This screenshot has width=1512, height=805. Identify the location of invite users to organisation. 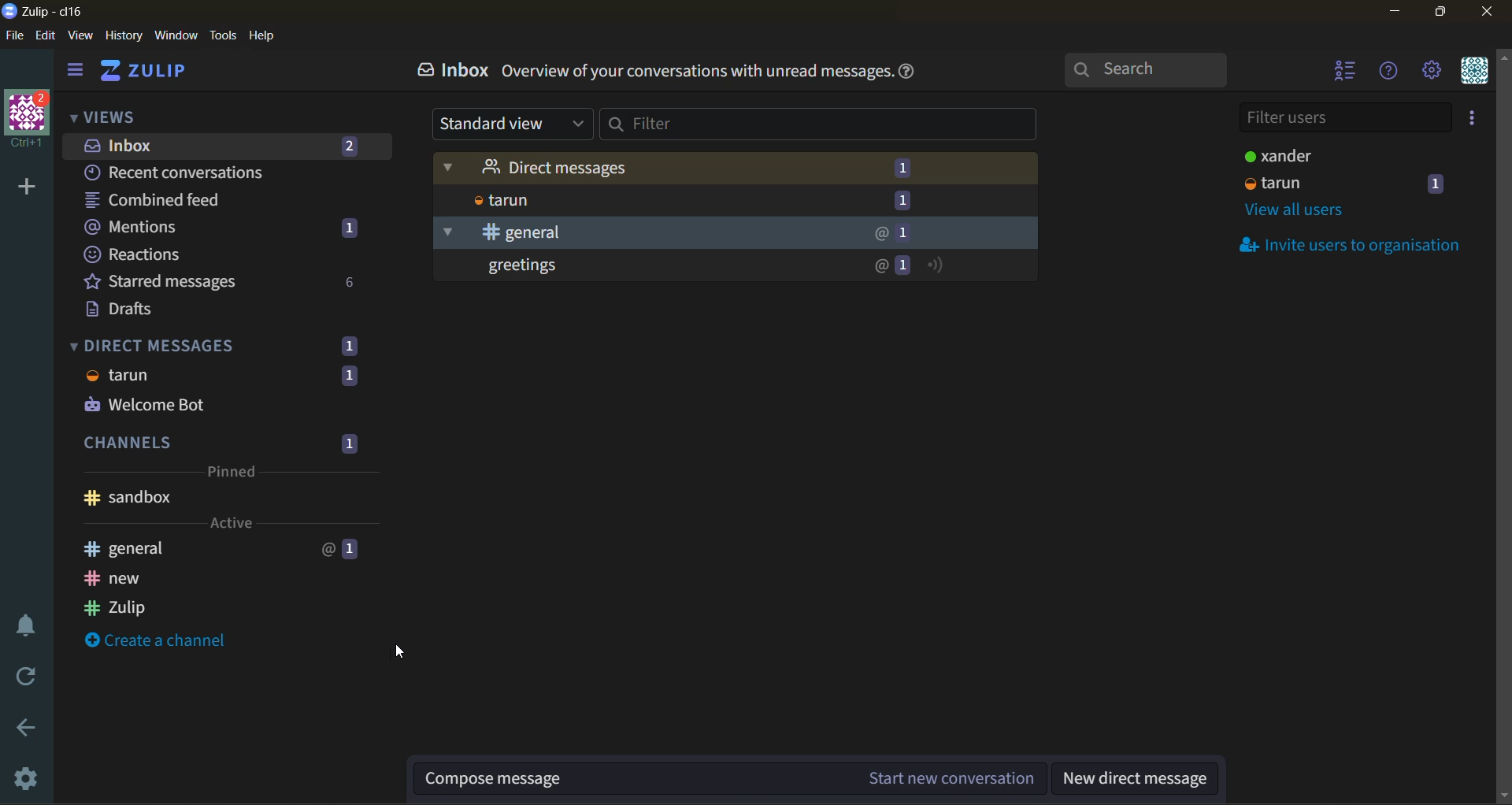
(1356, 247).